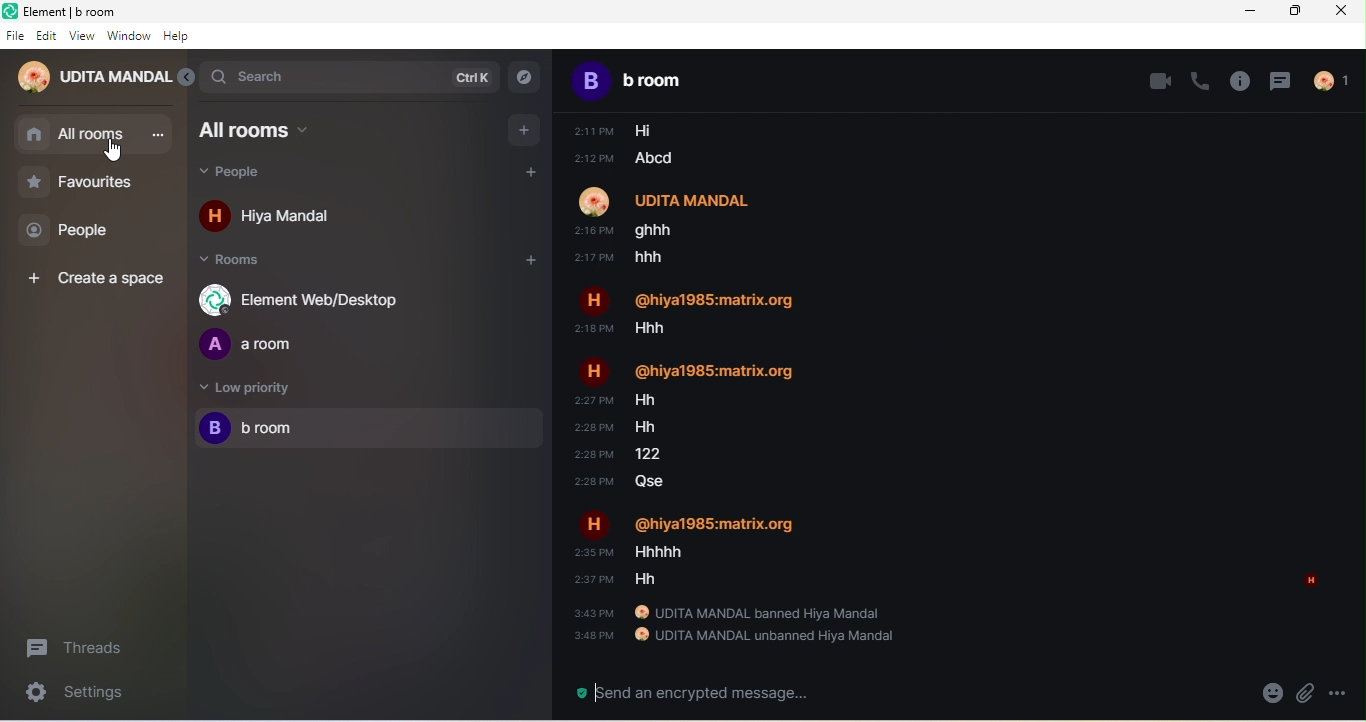 This screenshot has width=1366, height=722. Describe the element at coordinates (1241, 81) in the screenshot. I see `room info` at that location.